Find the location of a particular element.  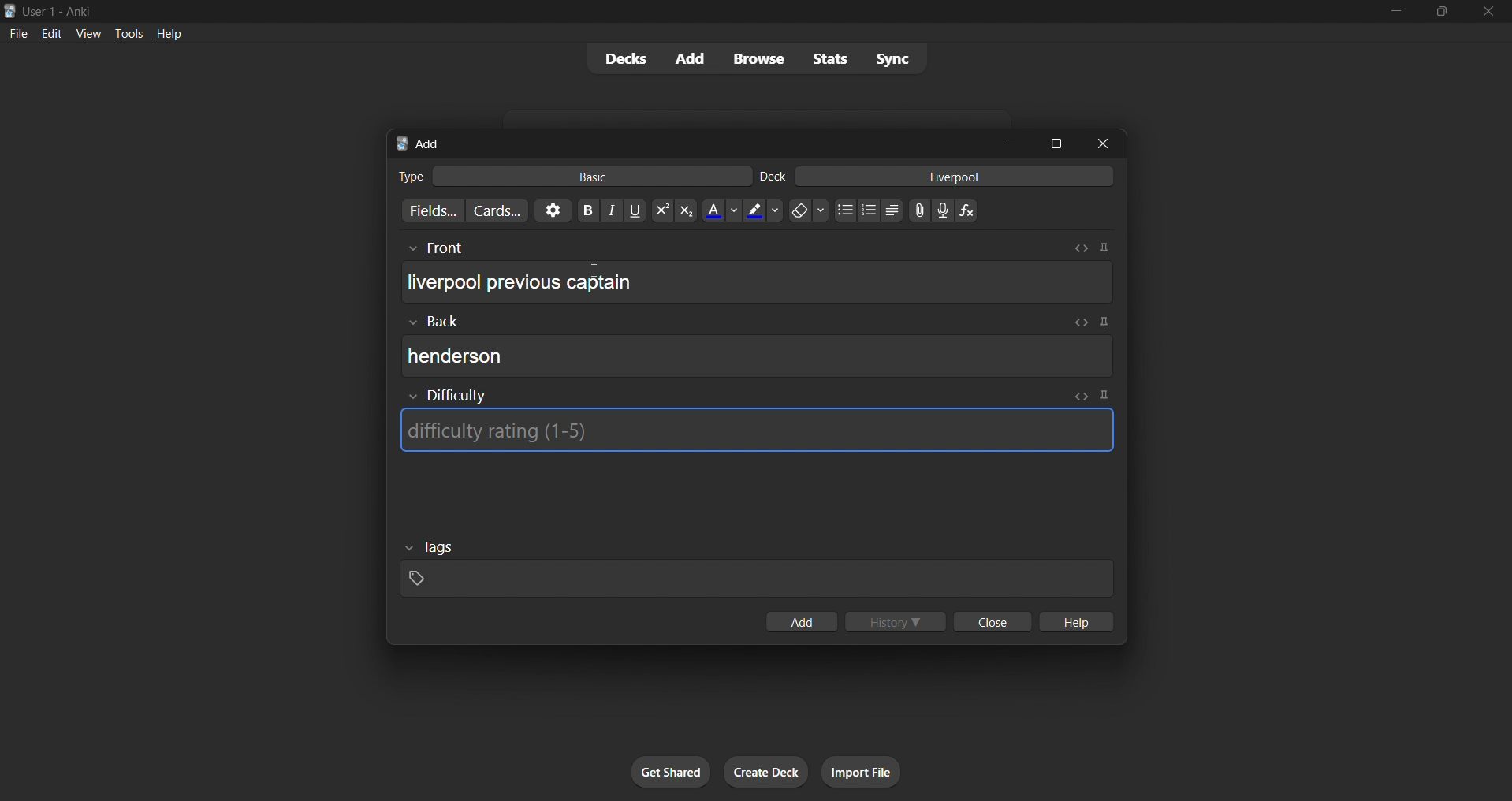

card front input box is located at coordinates (757, 277).